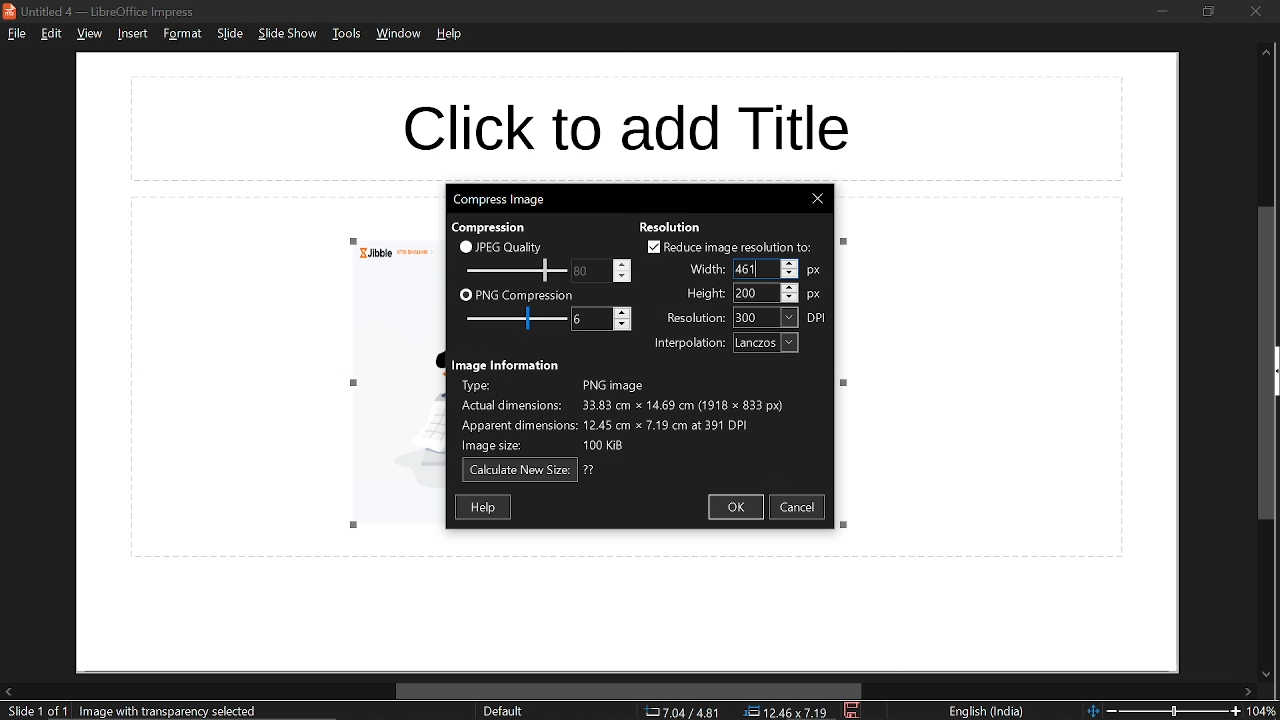  What do you see at coordinates (625, 690) in the screenshot?
I see `horizontal scrollbar` at bounding box center [625, 690].